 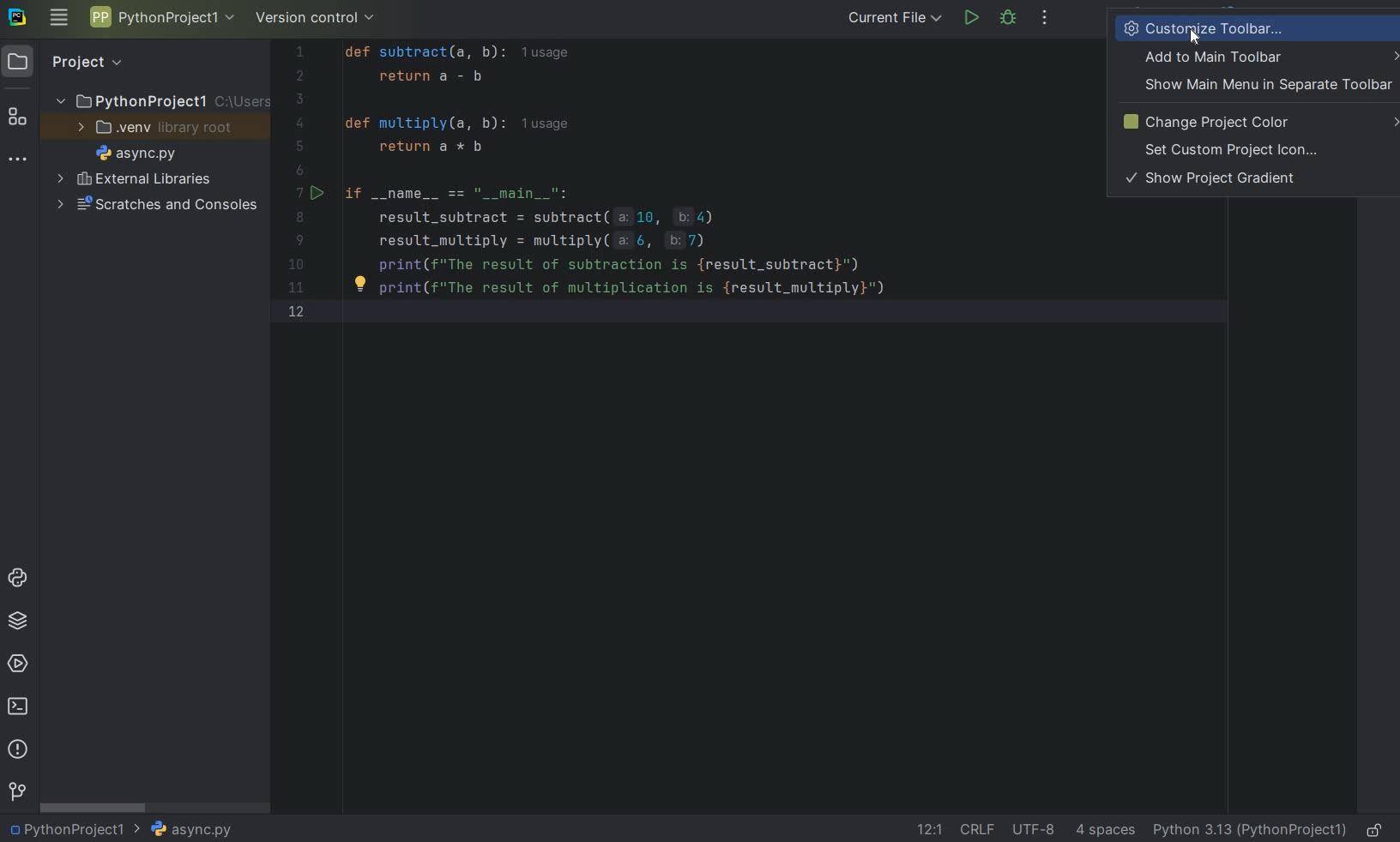 I want to click on PROJECT, so click(x=73, y=62).